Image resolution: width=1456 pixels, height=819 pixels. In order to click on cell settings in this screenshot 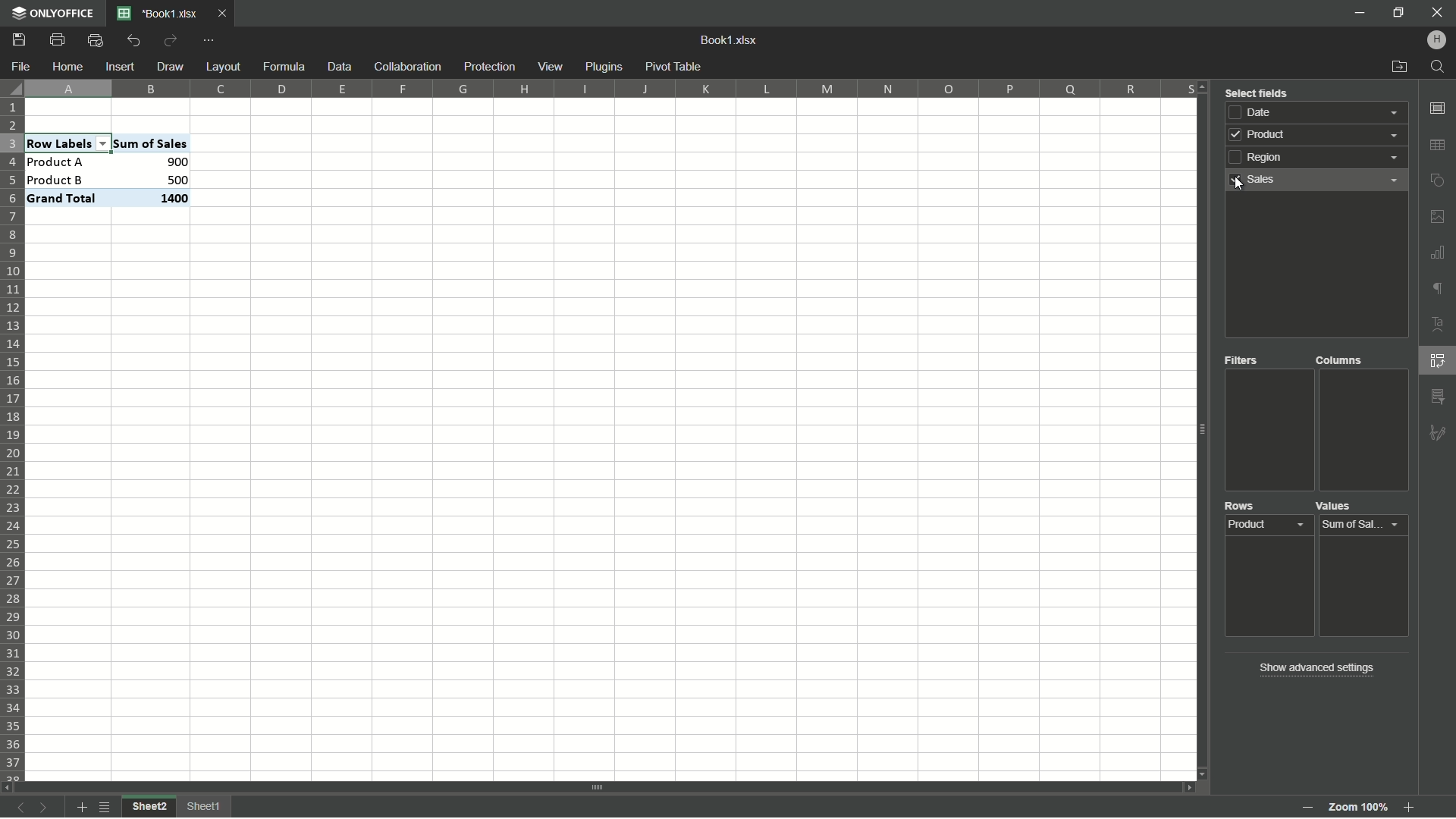, I will do `click(1436, 108)`.